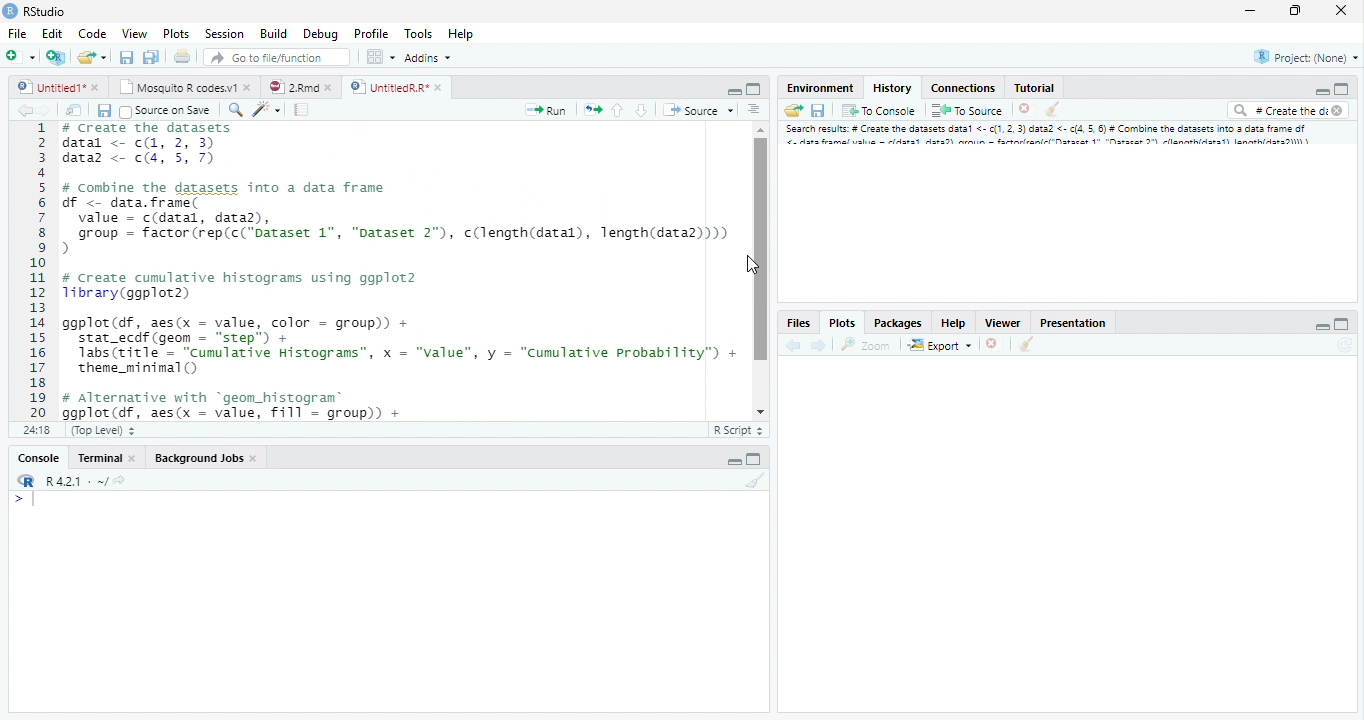  What do you see at coordinates (1035, 88) in the screenshot?
I see `Tutorial` at bounding box center [1035, 88].